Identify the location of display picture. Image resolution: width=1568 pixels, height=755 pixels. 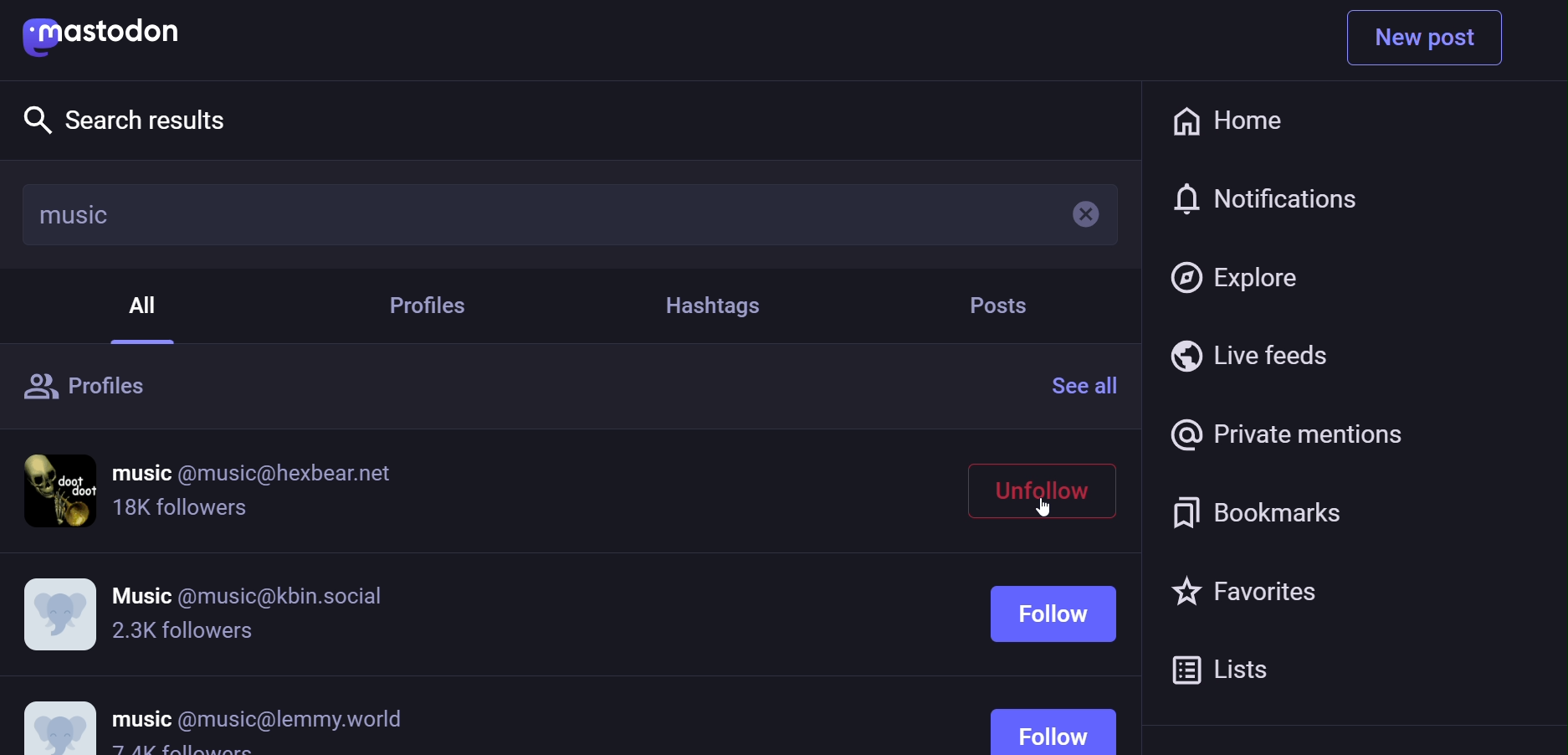
(63, 489).